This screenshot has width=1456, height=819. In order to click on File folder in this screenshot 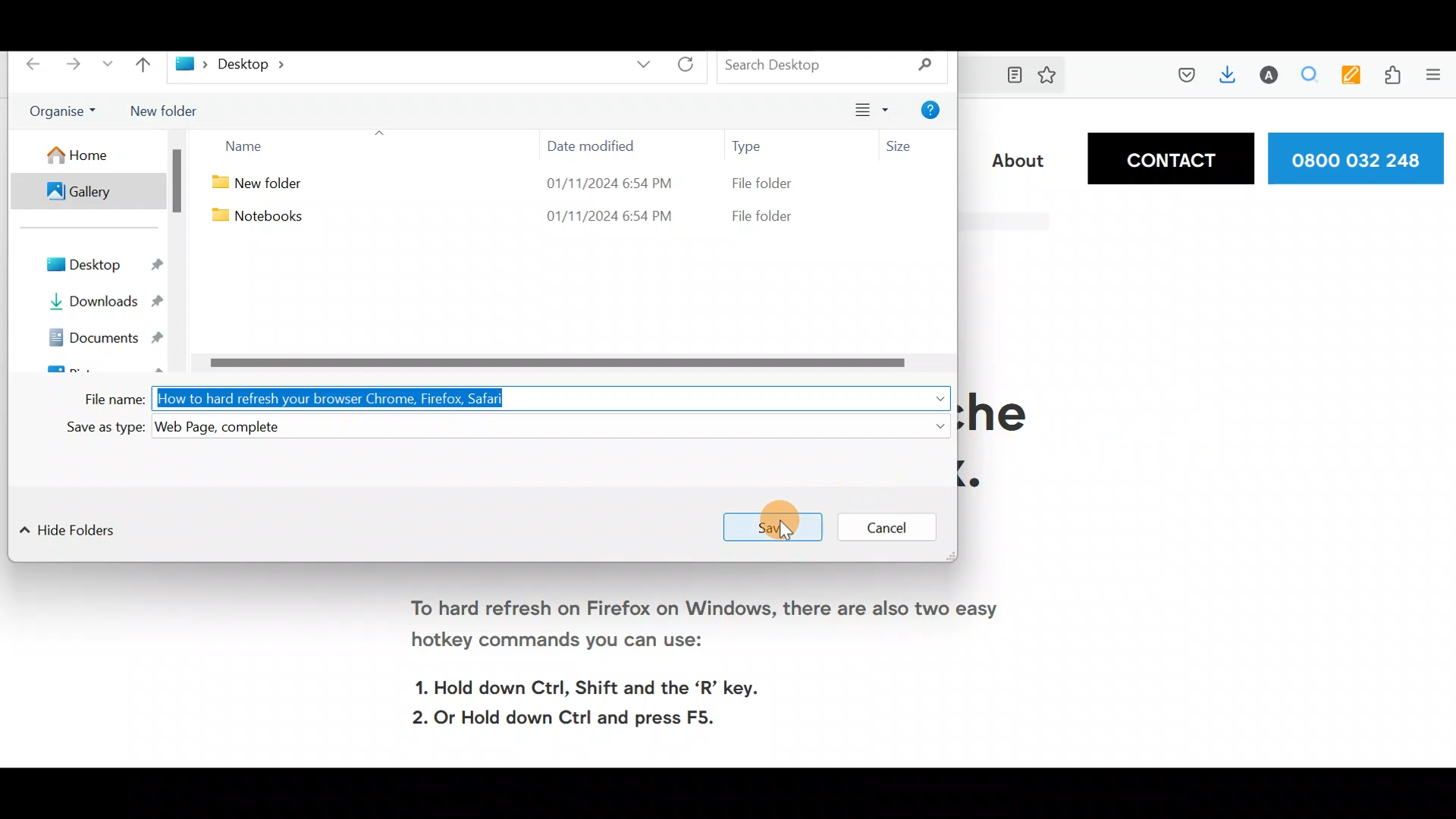, I will do `click(762, 217)`.